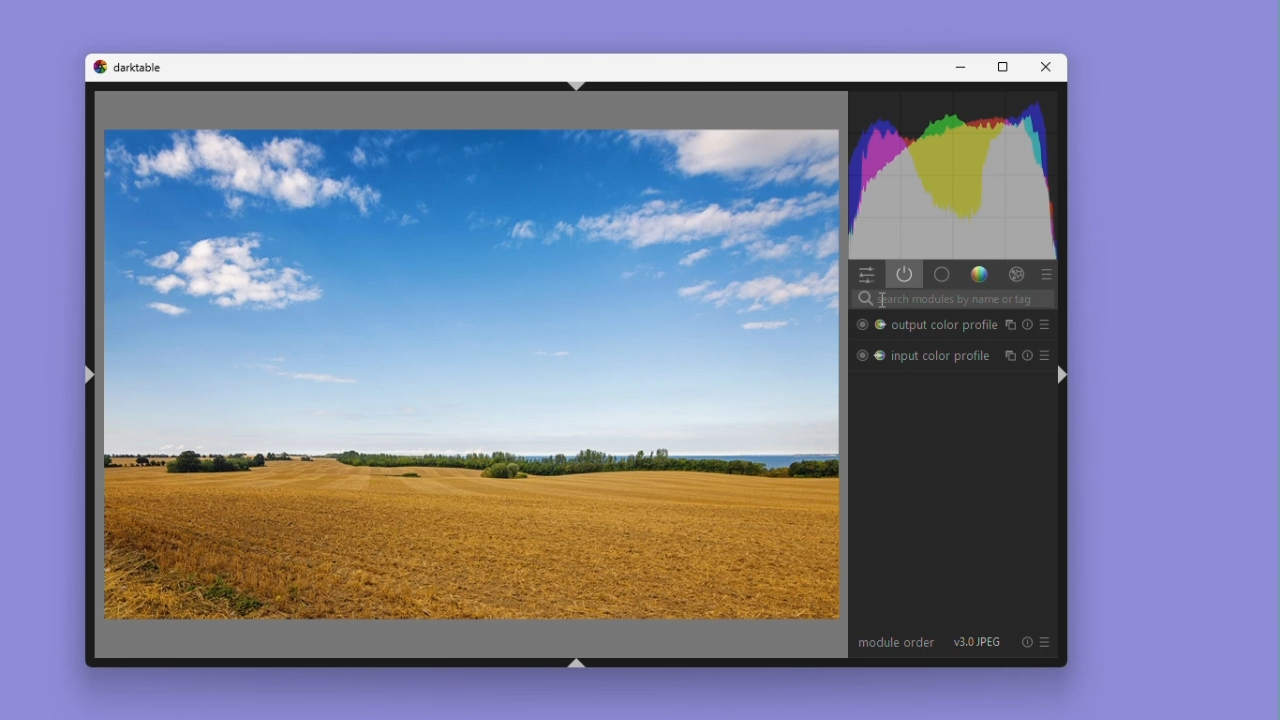 The image size is (1280, 720). Describe the element at coordinates (1025, 643) in the screenshot. I see `reset` at that location.